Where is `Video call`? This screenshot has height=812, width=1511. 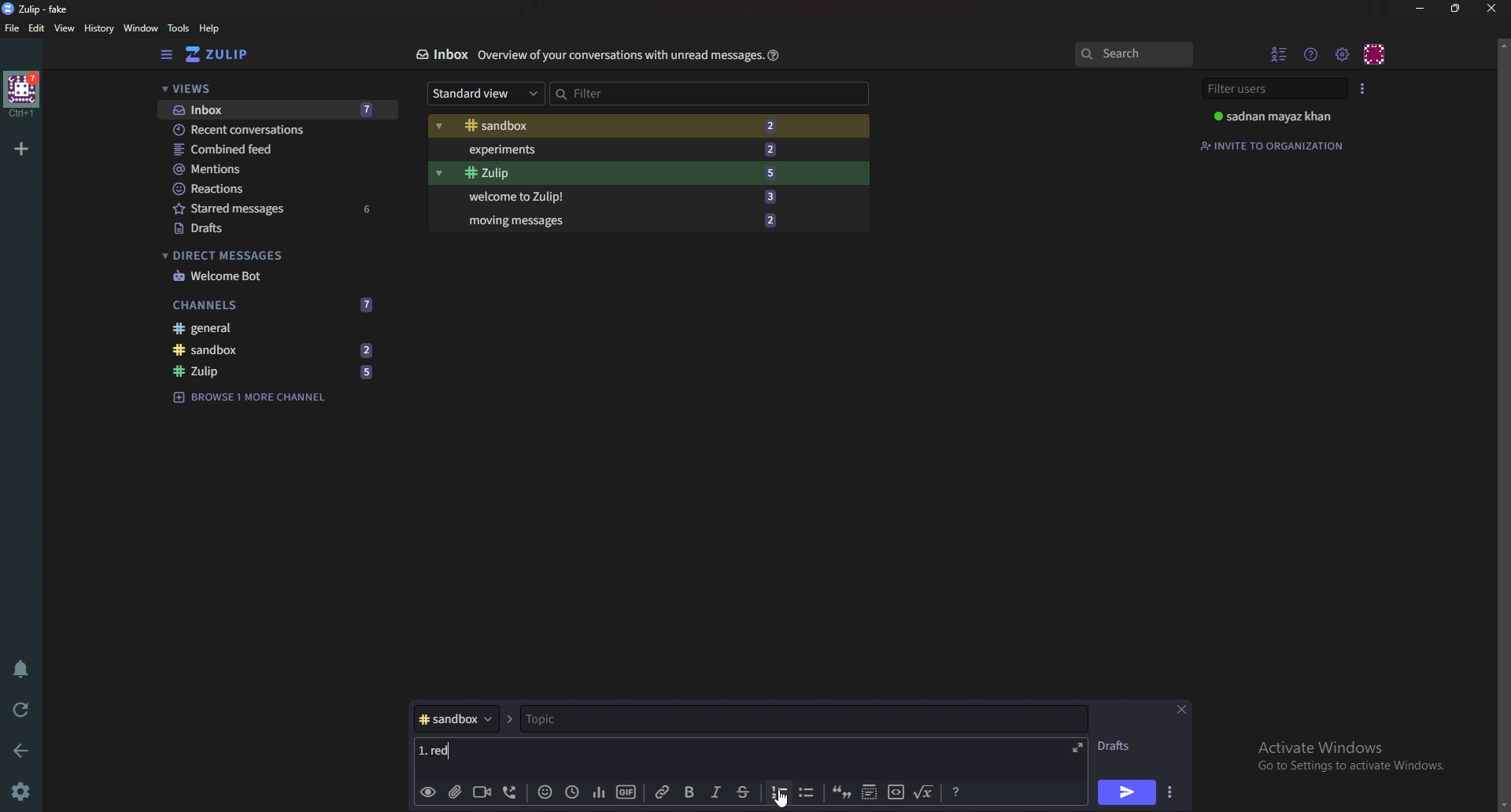
Video call is located at coordinates (480, 792).